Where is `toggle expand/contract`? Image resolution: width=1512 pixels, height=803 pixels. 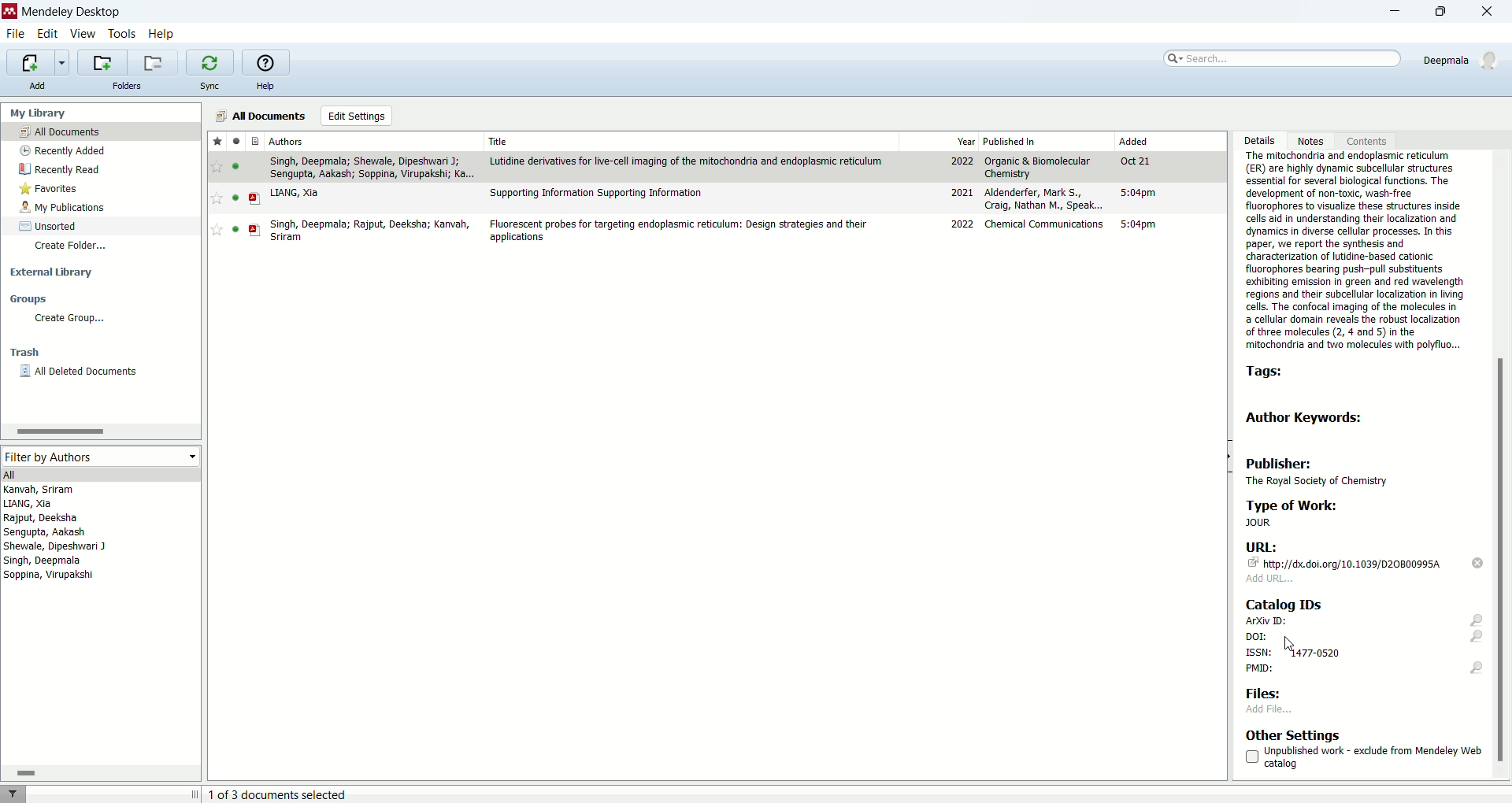
toggle expand/contract is located at coordinates (195, 794).